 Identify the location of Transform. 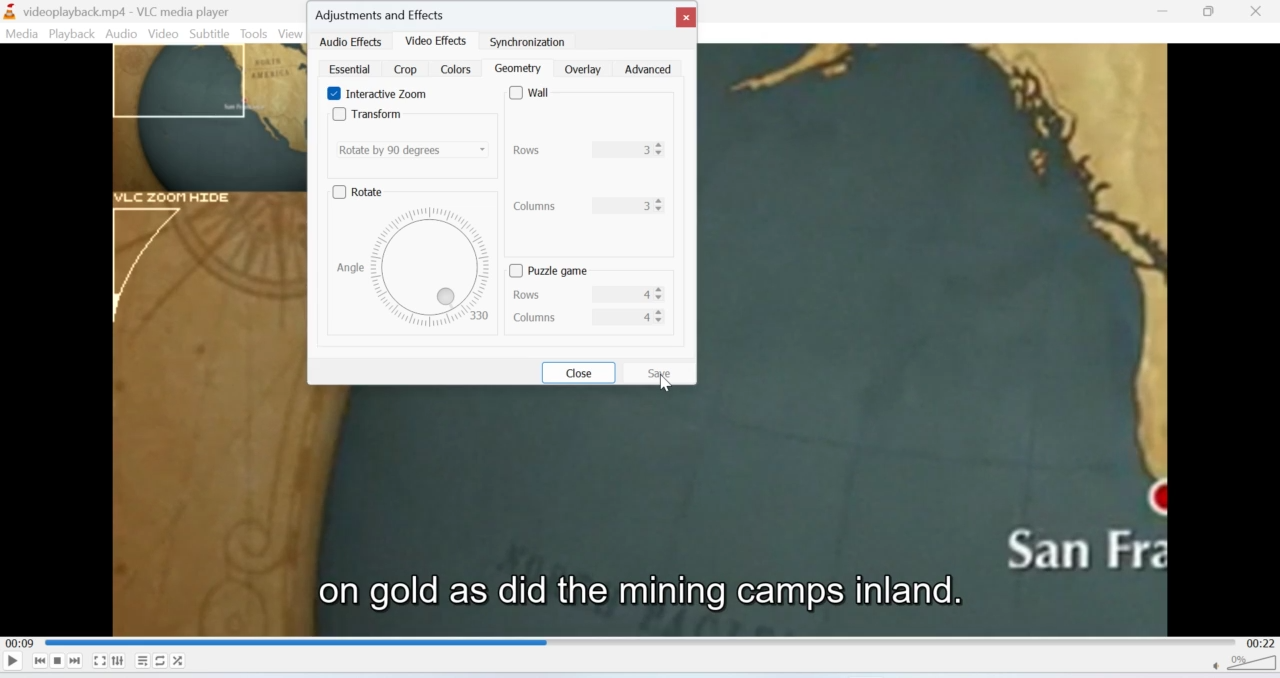
(367, 114).